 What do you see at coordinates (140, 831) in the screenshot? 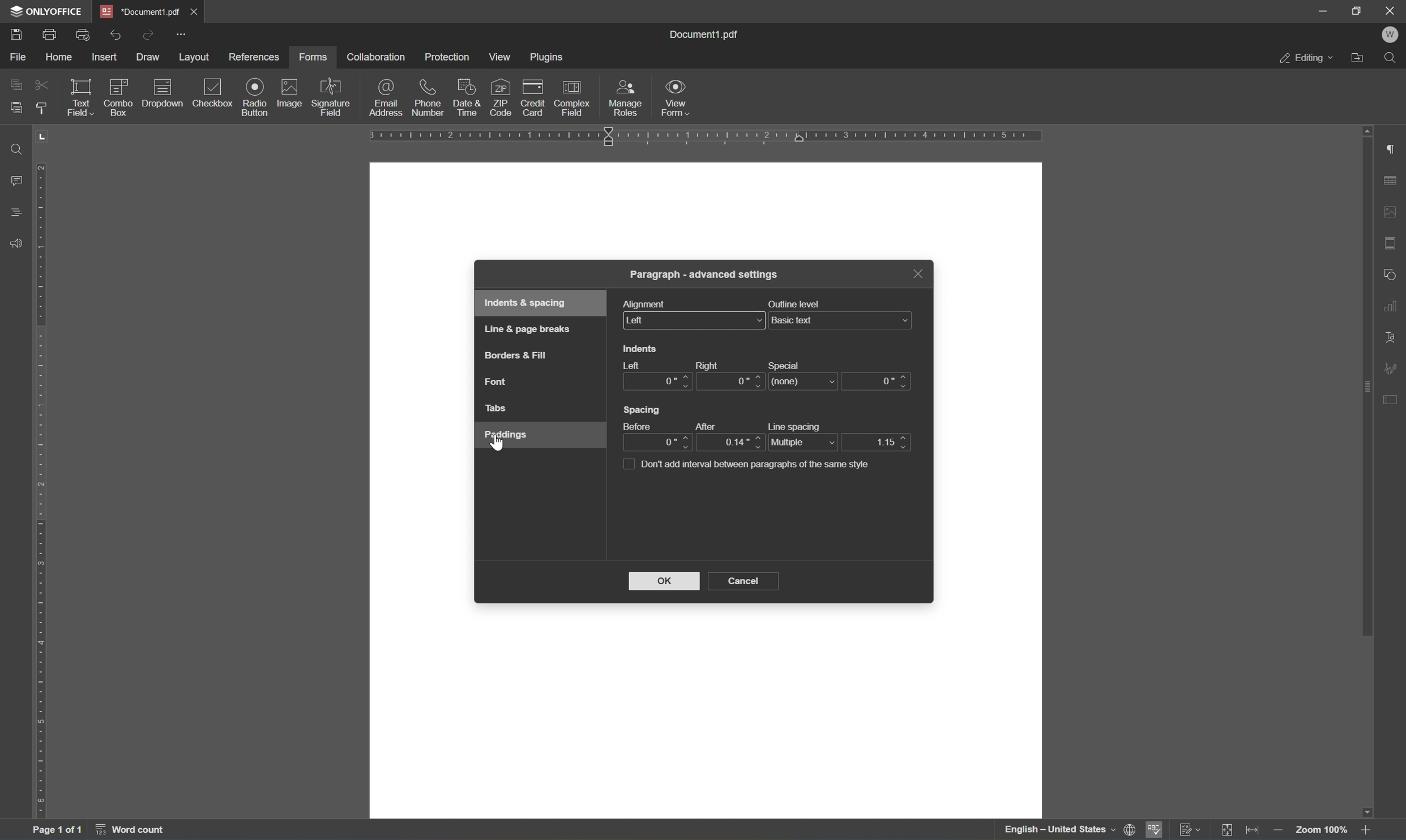
I see `word count` at bounding box center [140, 831].